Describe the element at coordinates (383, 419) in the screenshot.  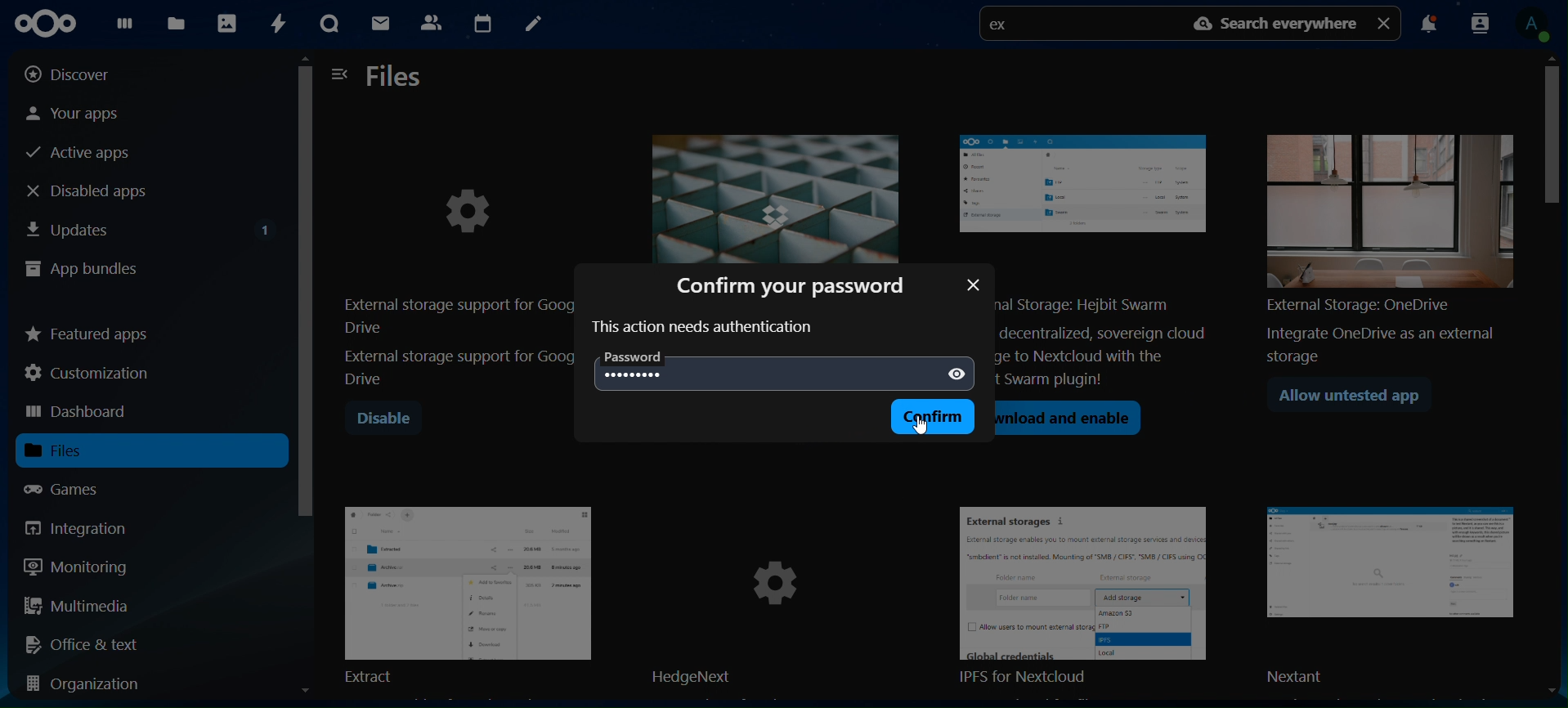
I see `disable` at that location.